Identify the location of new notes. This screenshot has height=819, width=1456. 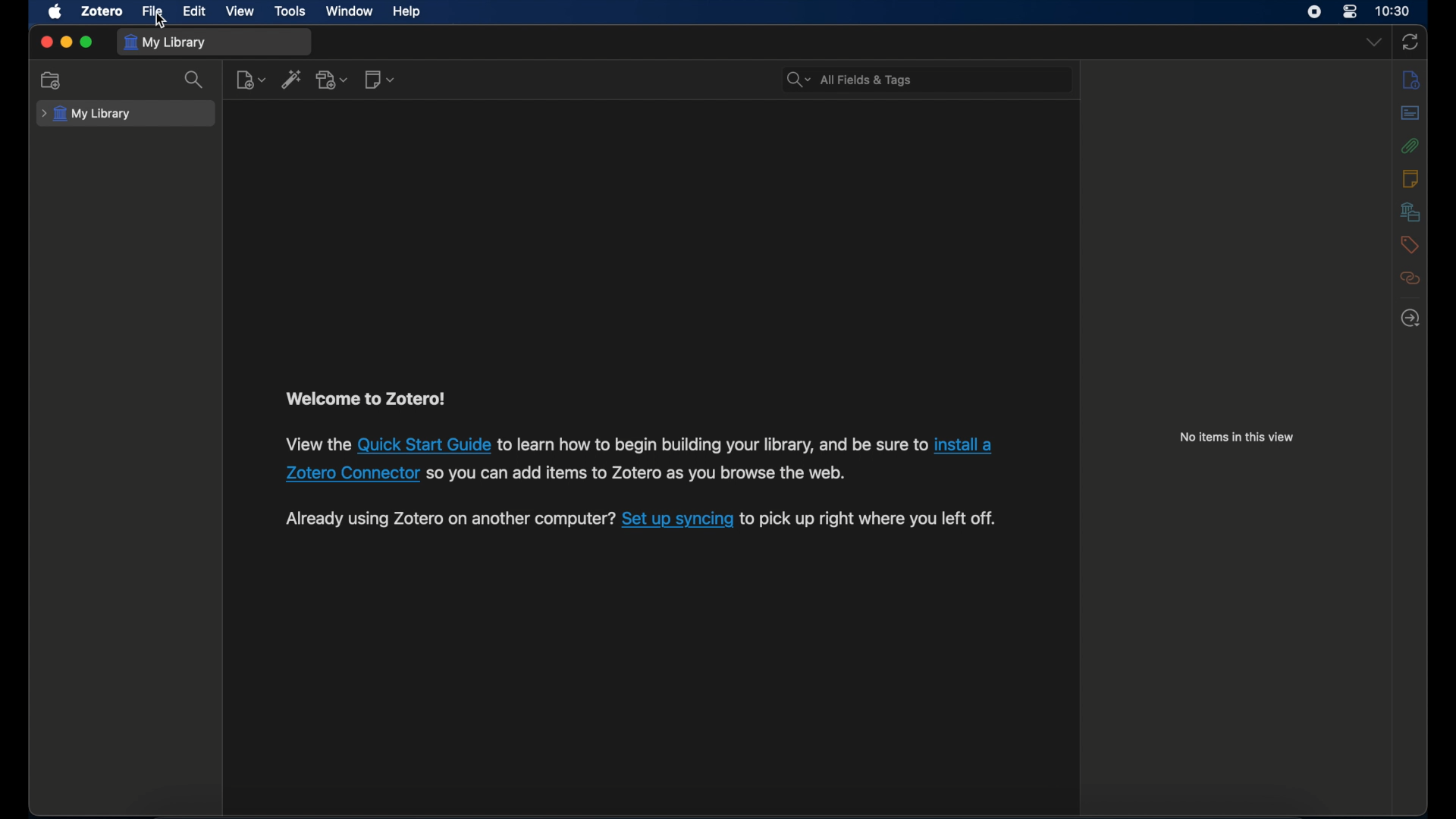
(379, 79).